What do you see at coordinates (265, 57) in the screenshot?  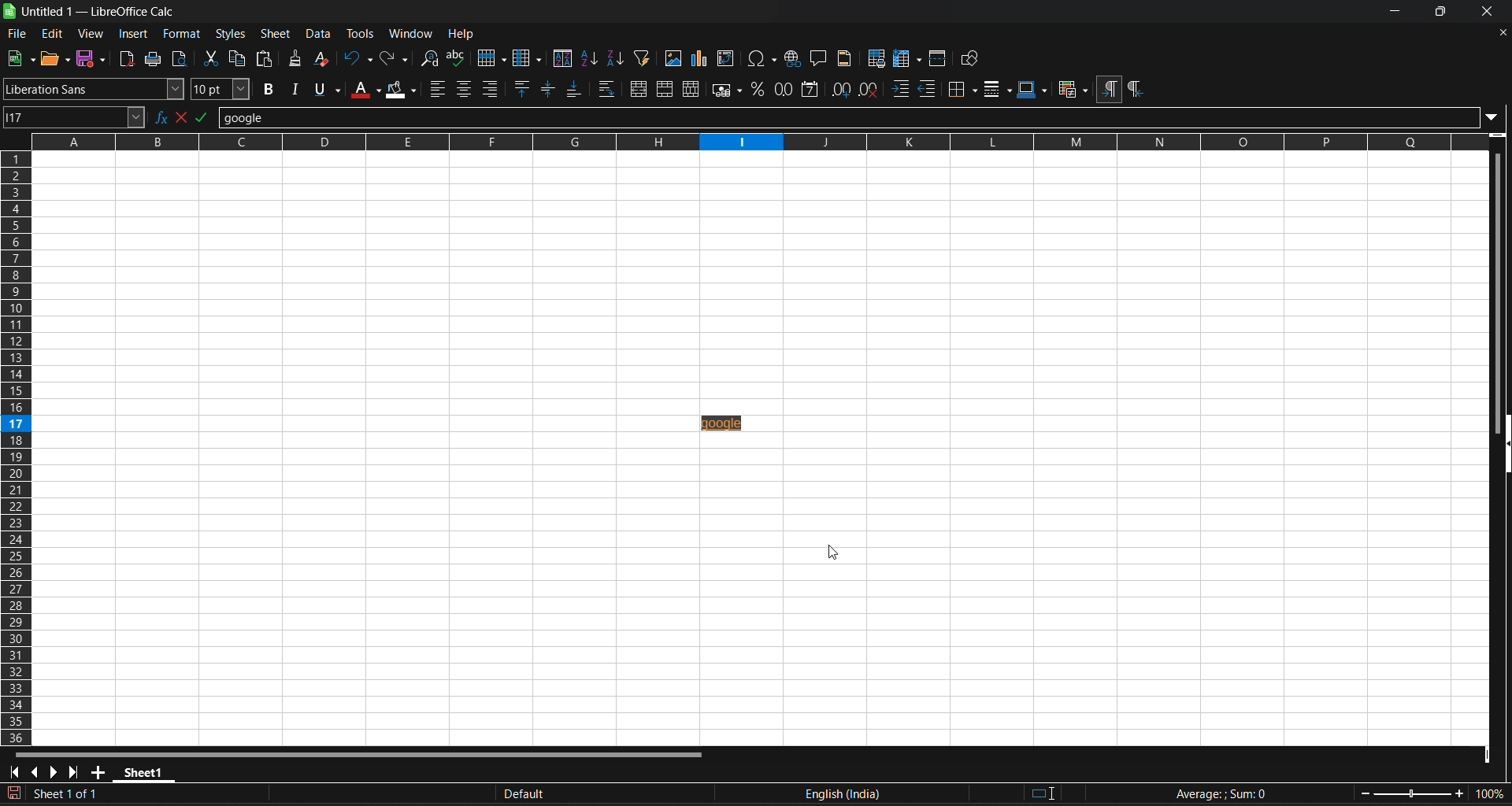 I see `paste` at bounding box center [265, 57].